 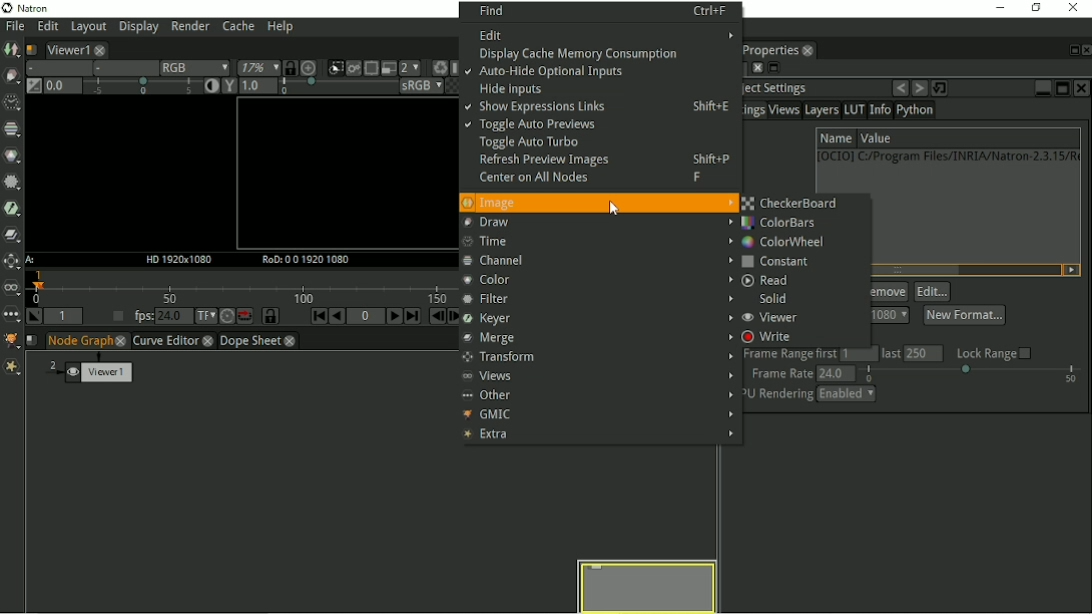 I want to click on Show expressions link, so click(x=601, y=109).